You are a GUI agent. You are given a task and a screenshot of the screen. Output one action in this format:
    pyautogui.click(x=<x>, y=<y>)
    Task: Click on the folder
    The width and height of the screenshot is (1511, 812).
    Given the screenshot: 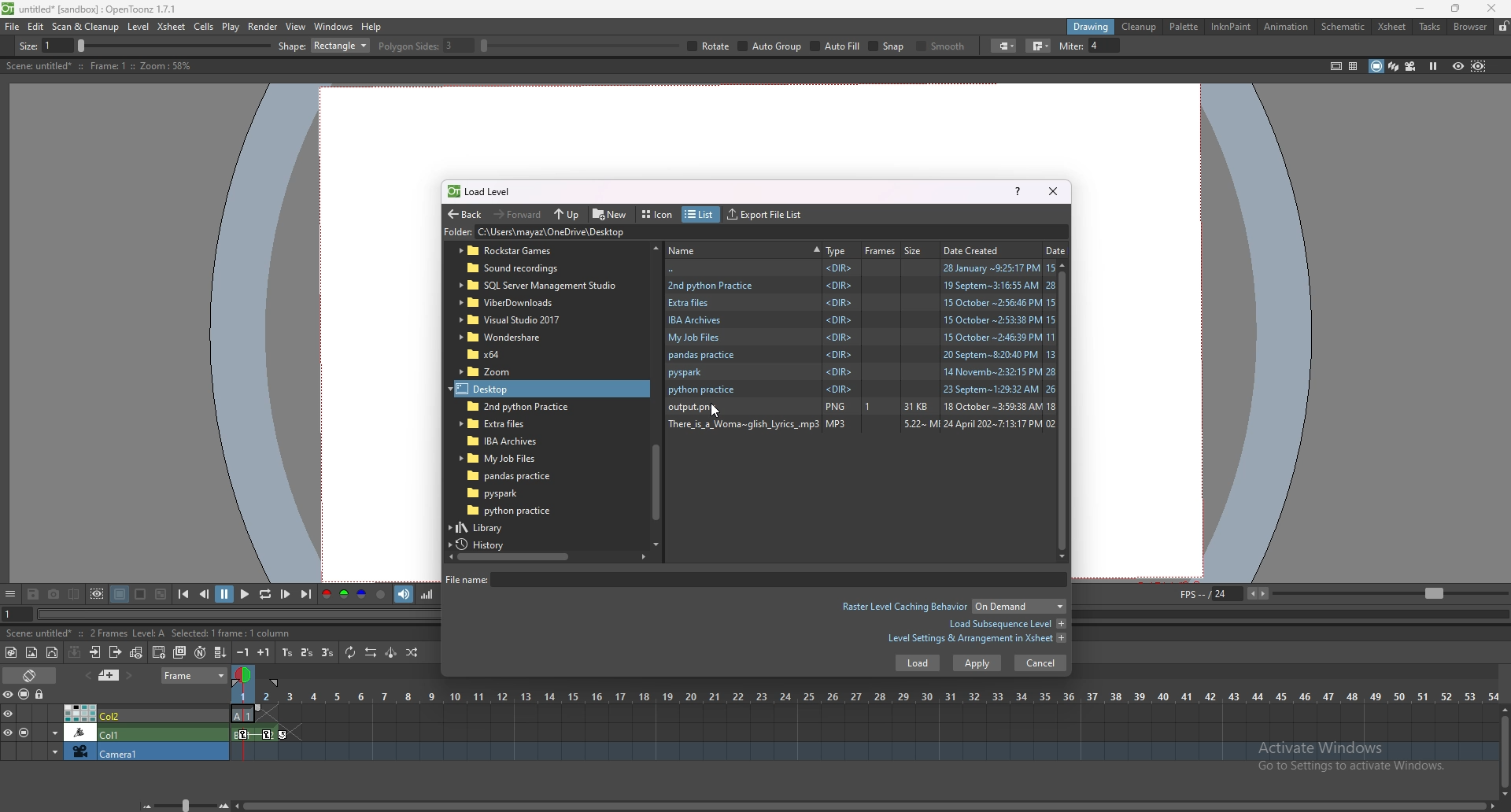 What is the action you would take?
    pyautogui.click(x=512, y=511)
    